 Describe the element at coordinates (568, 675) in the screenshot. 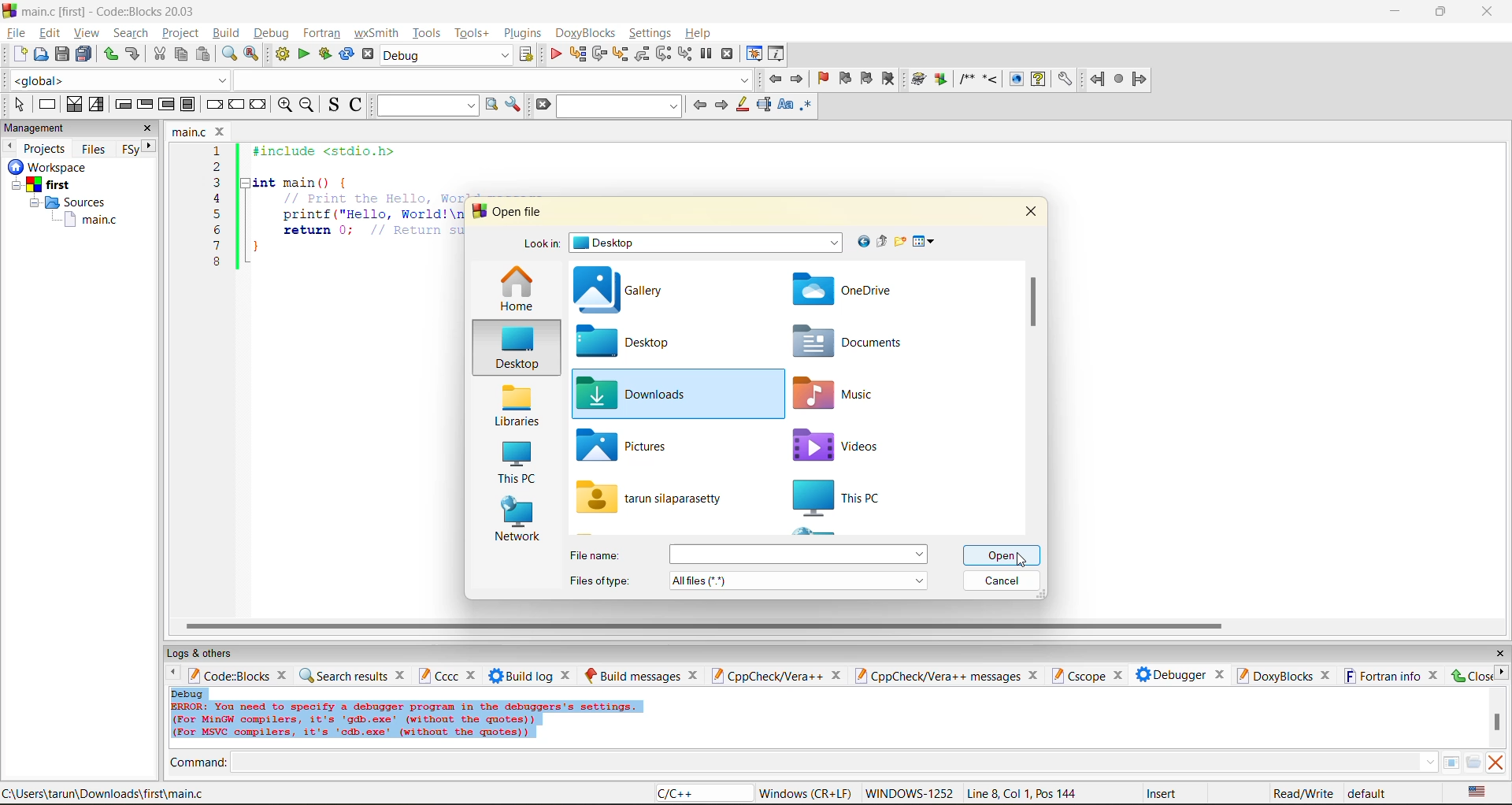

I see `close` at that location.